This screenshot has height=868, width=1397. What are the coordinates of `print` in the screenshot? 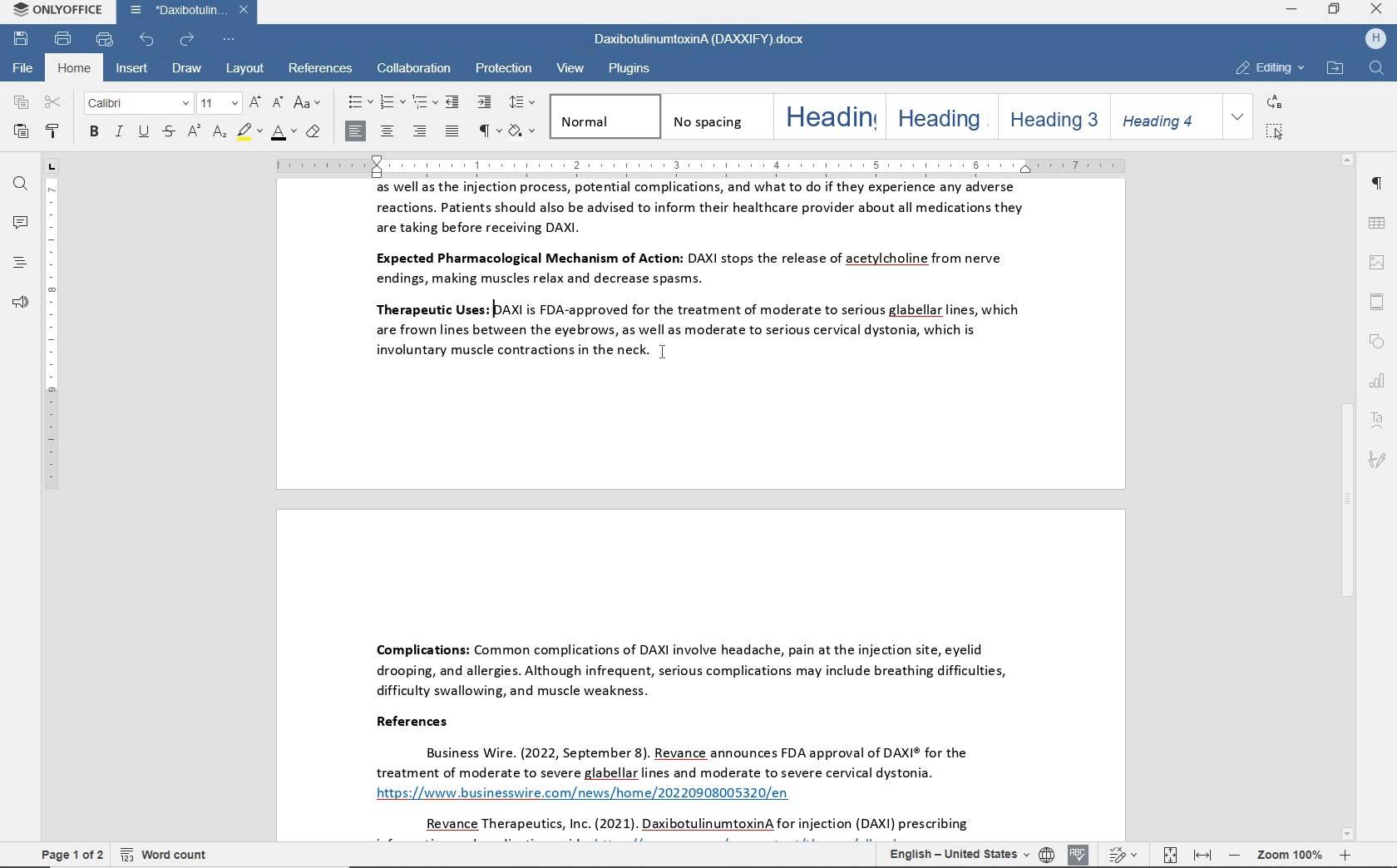 It's located at (62, 39).